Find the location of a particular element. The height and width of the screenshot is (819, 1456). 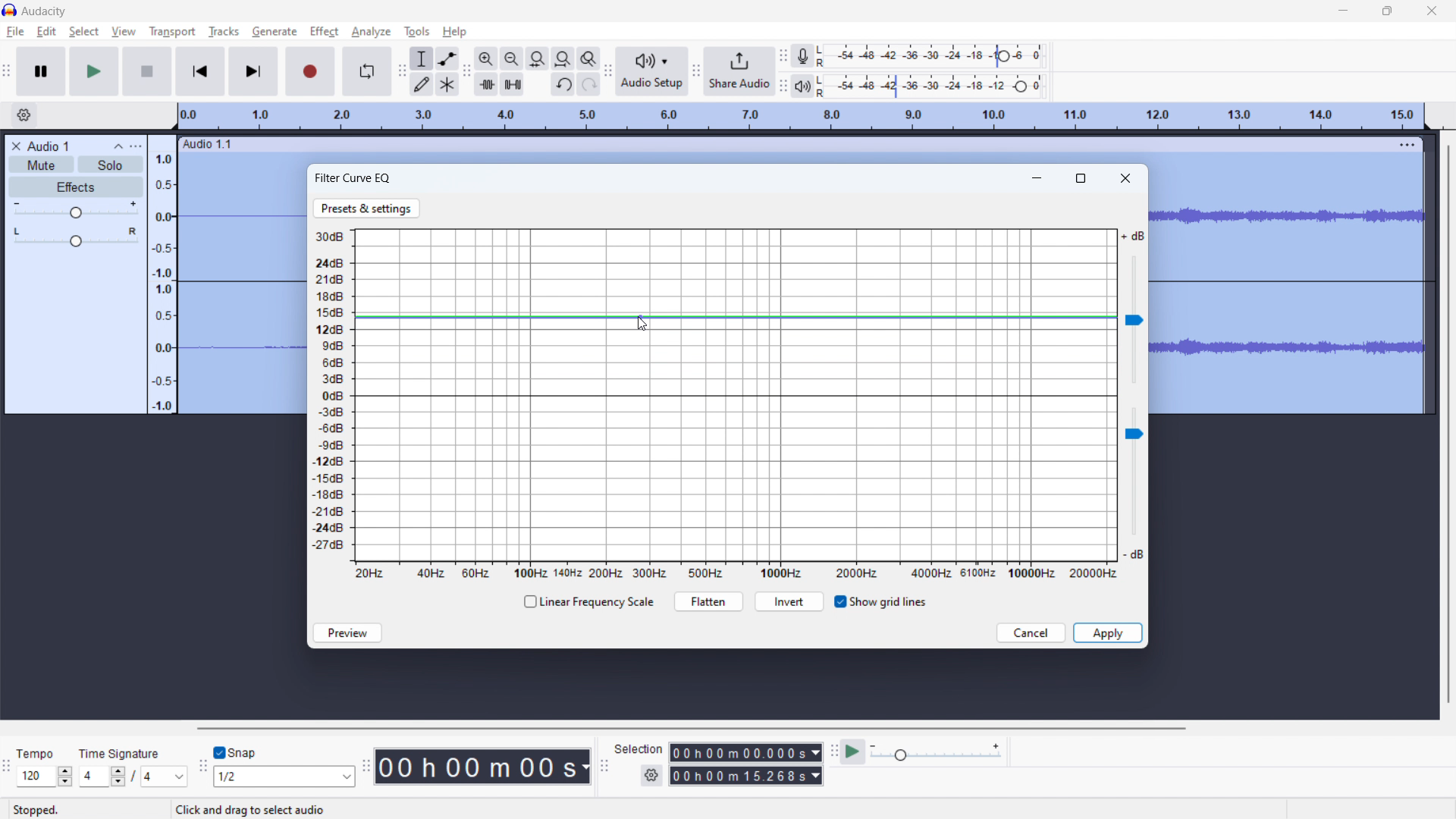

fit selection to width is located at coordinates (537, 58).